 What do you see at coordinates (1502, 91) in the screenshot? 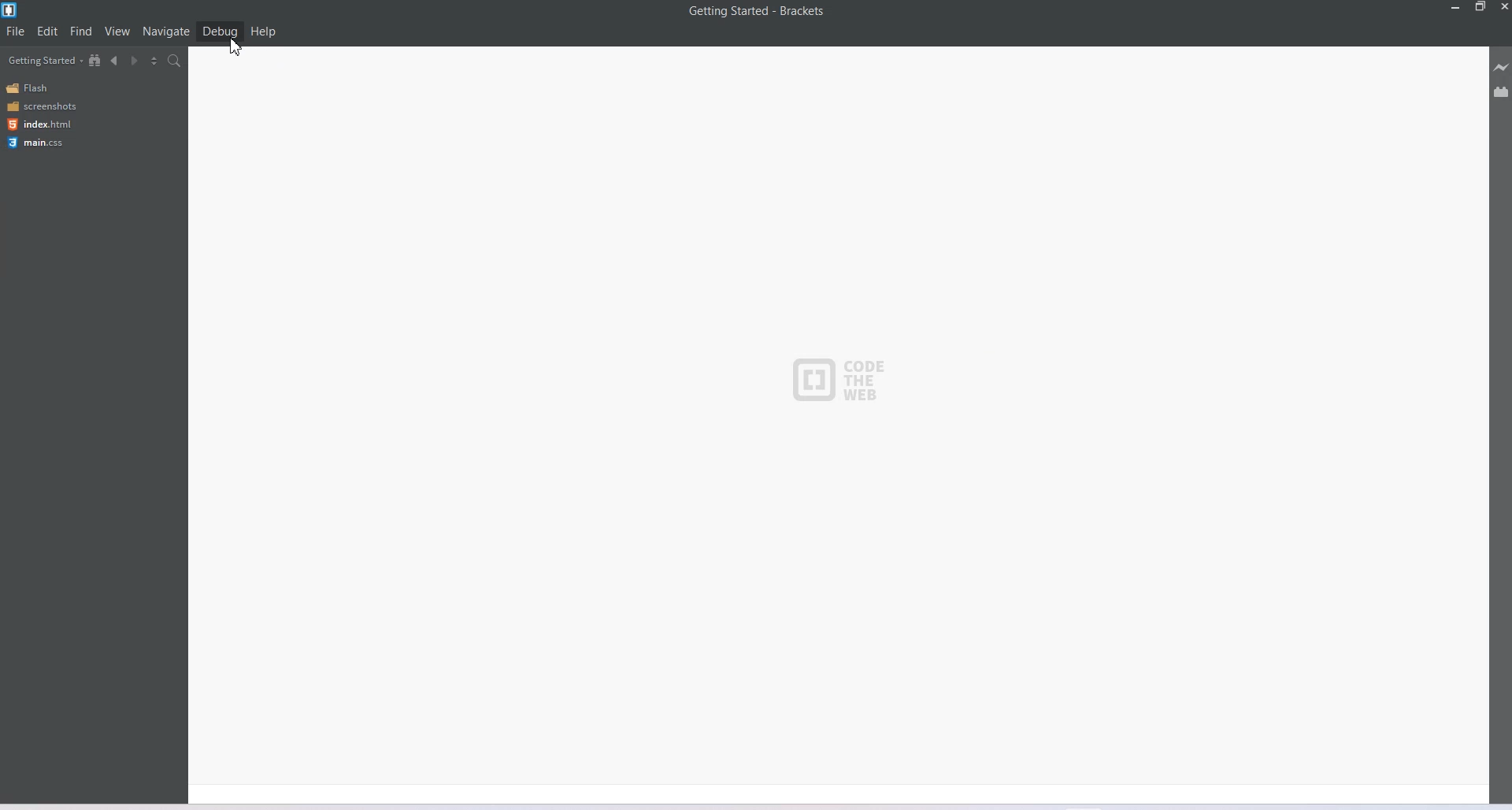
I see `Extension Manager` at bounding box center [1502, 91].